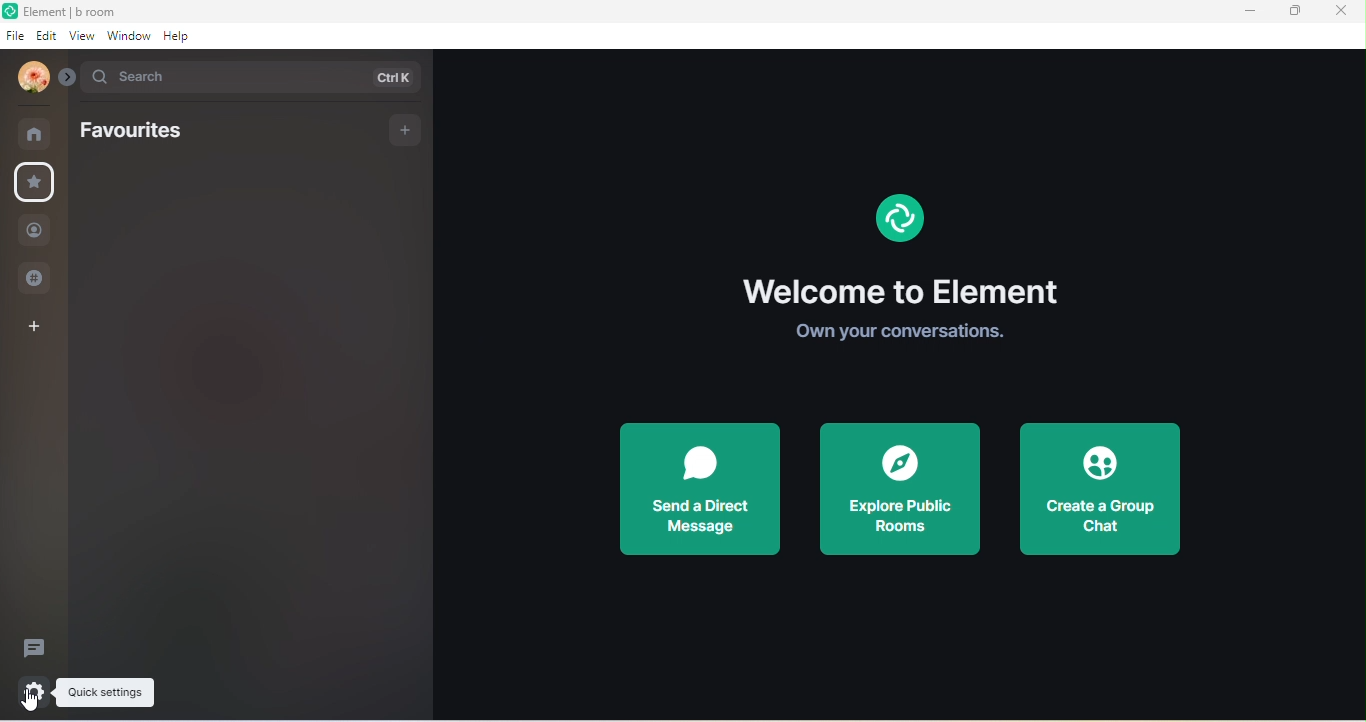  I want to click on favourites, so click(133, 128).